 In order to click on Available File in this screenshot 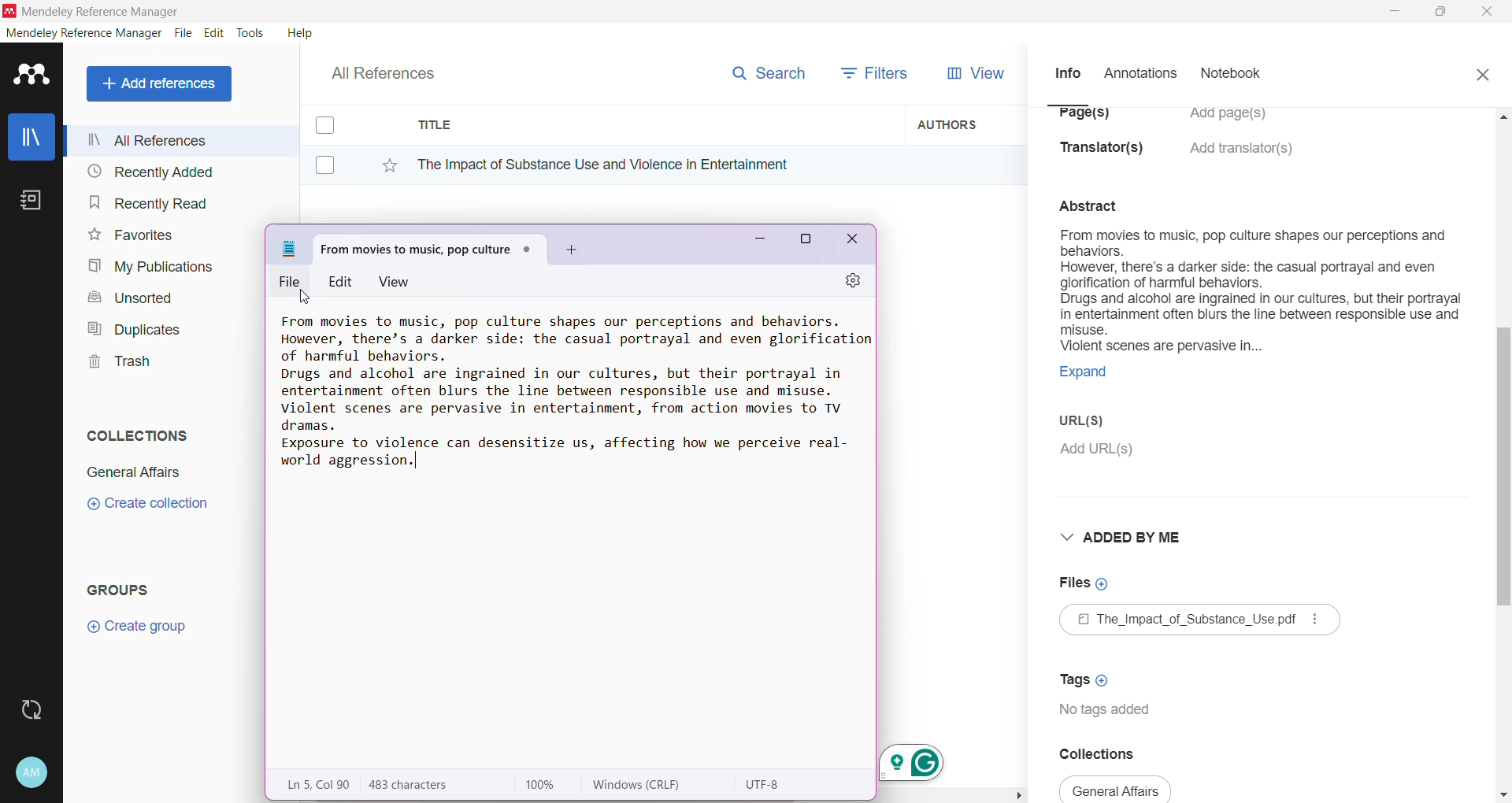, I will do `click(1202, 622)`.